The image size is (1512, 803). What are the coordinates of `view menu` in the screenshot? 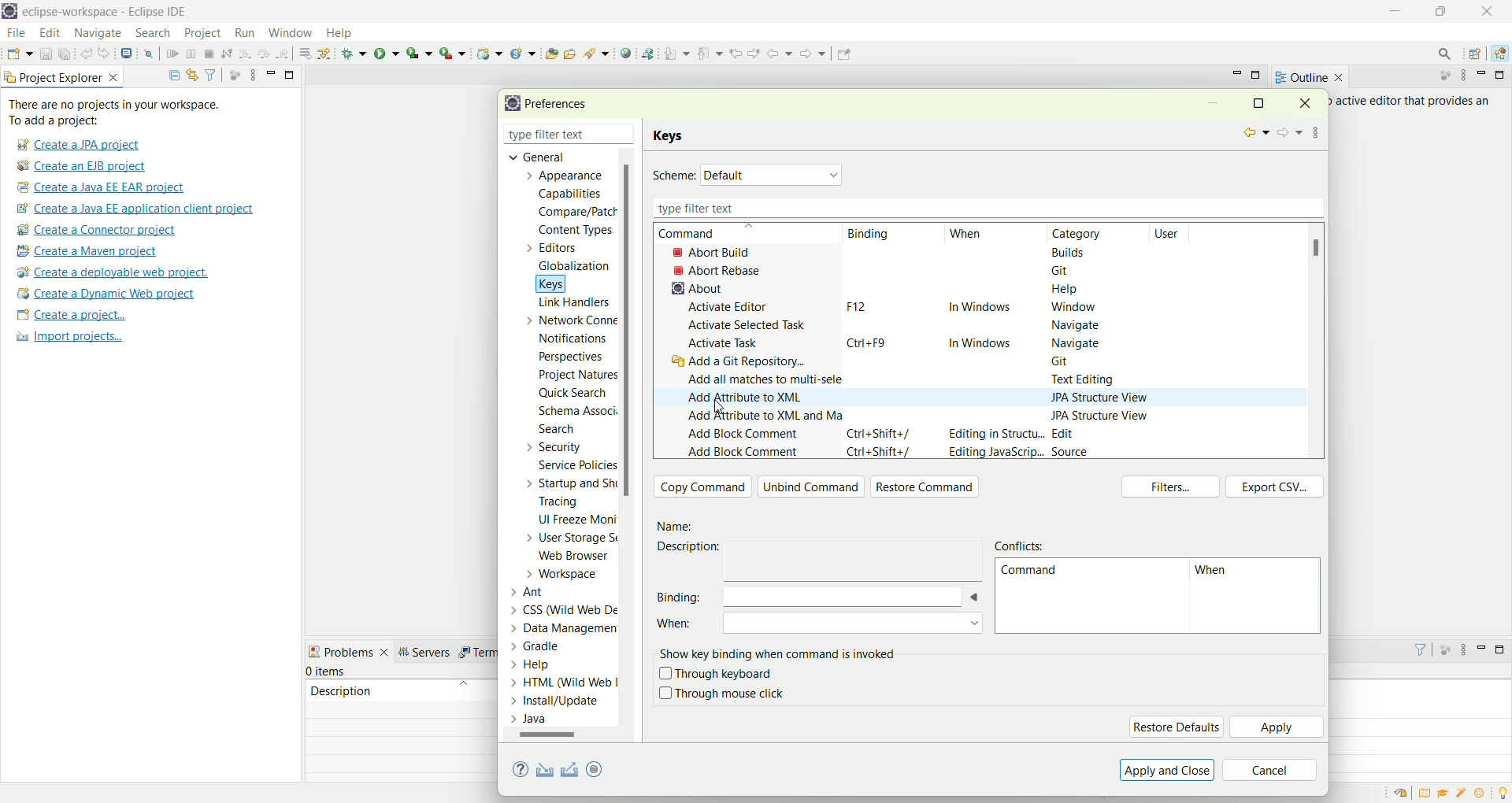 It's located at (251, 74).